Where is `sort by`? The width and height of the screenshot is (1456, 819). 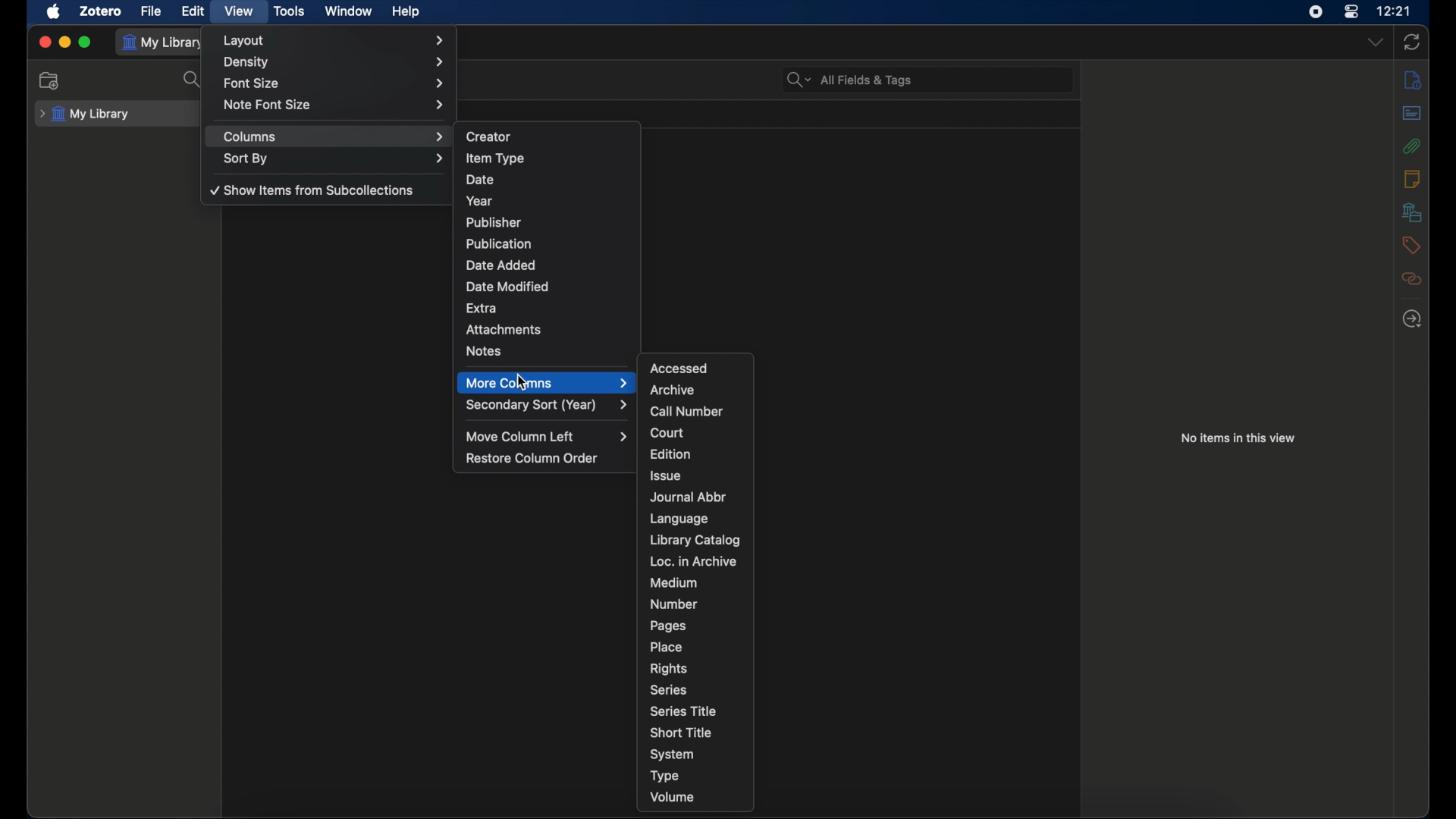 sort by is located at coordinates (336, 159).